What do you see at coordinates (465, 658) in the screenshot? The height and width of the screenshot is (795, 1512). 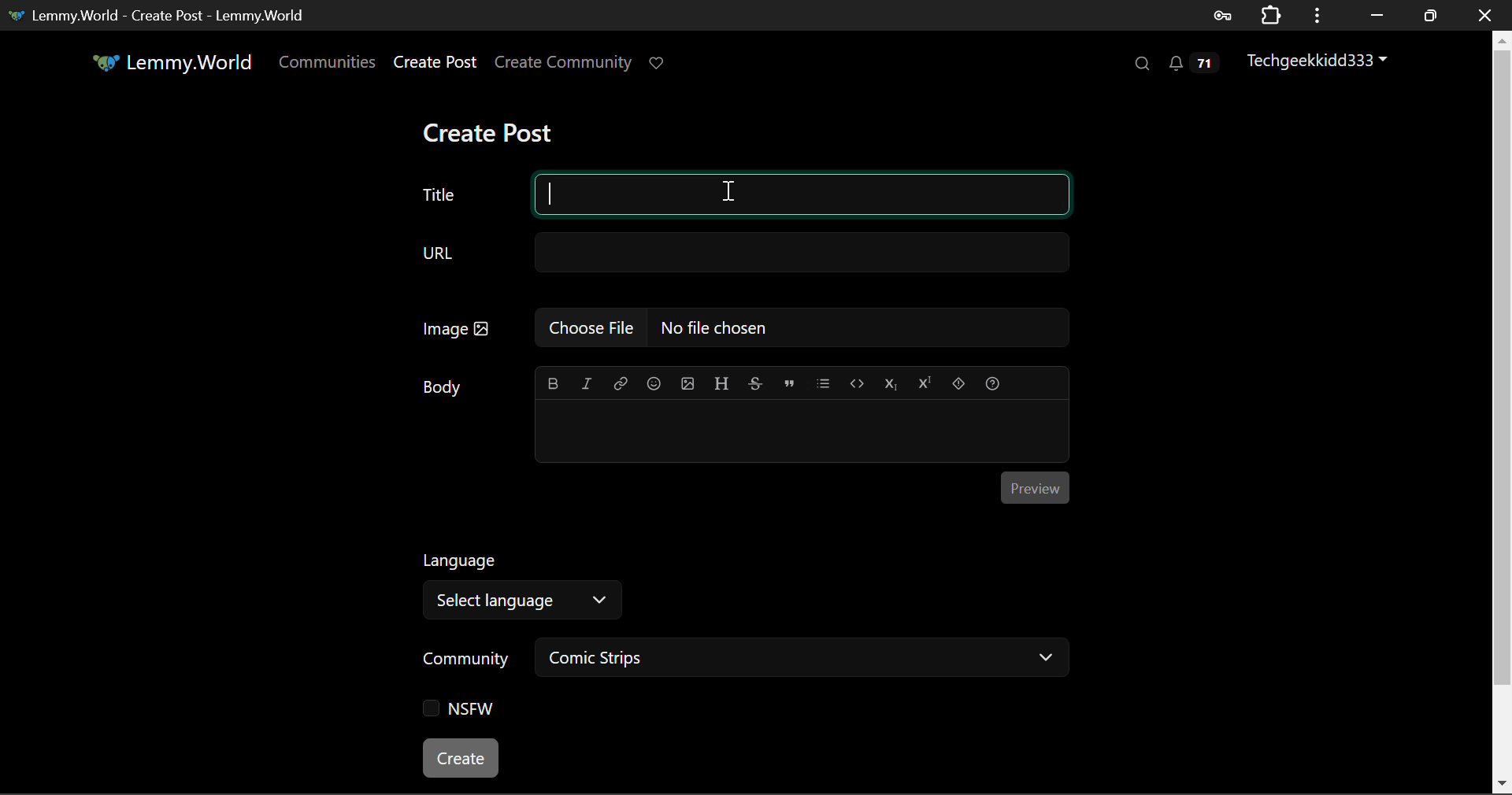 I see `Community` at bounding box center [465, 658].